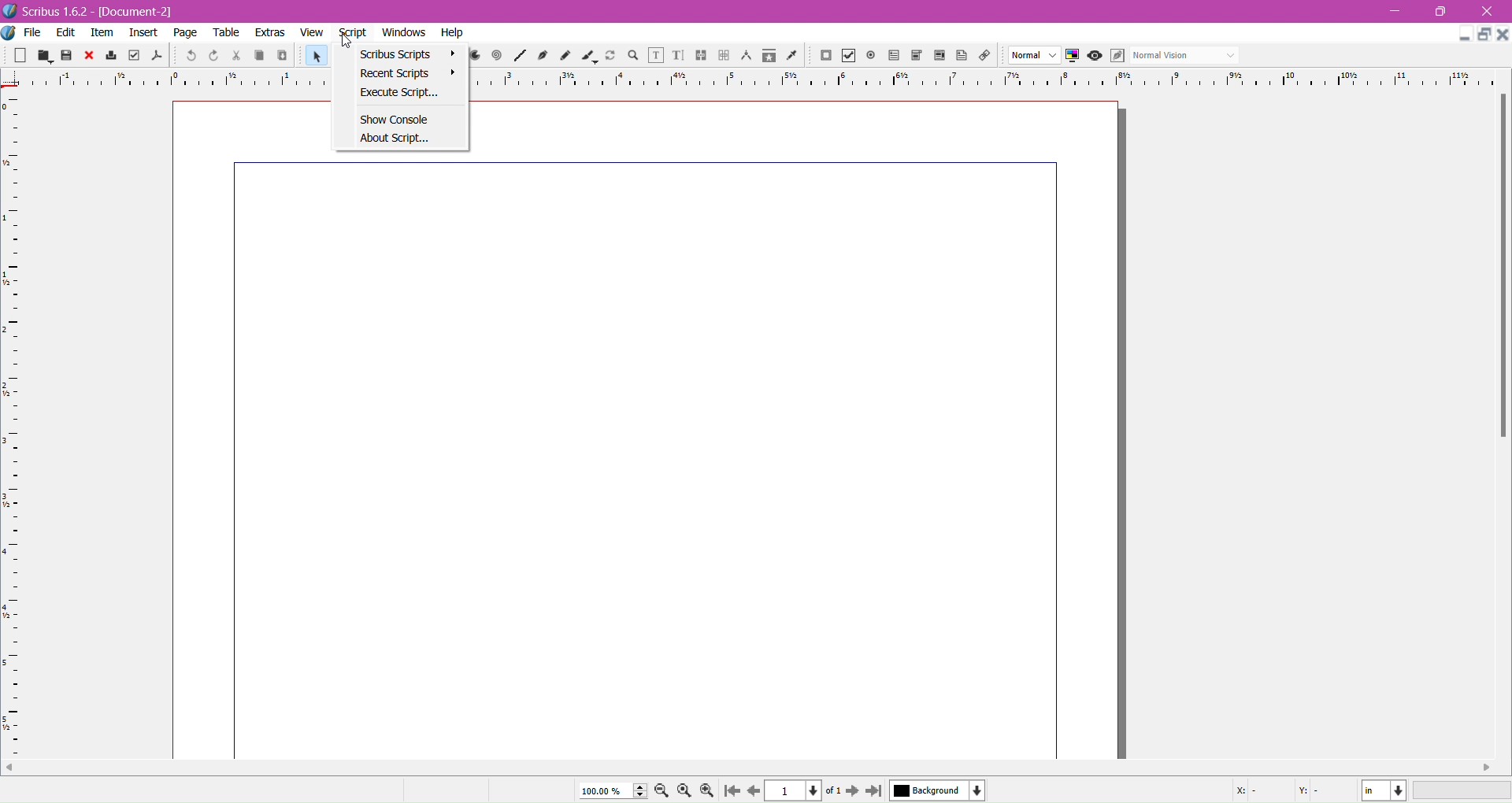  I want to click on Close Document, so click(1503, 35).